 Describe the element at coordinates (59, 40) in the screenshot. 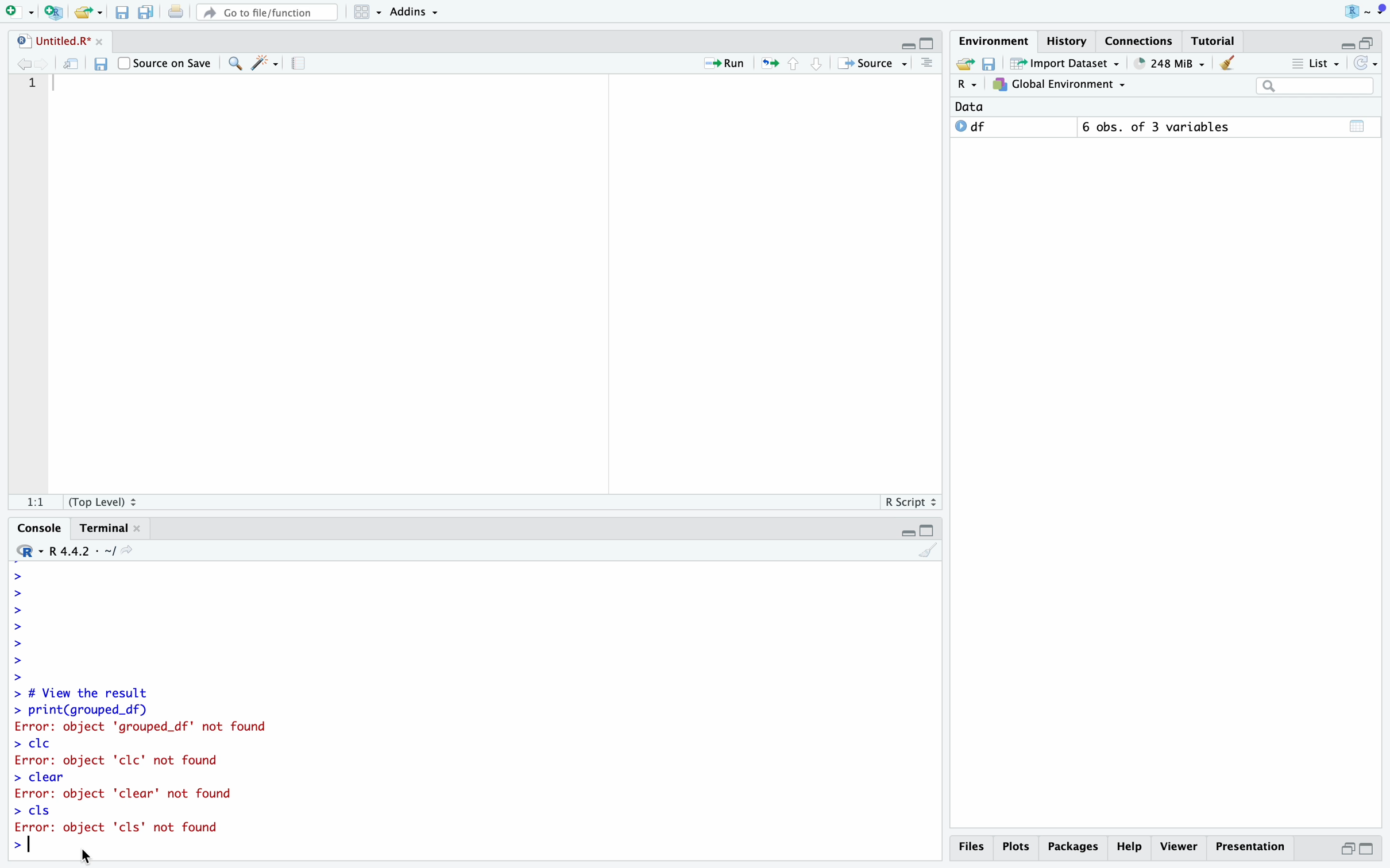

I see `Untitled.R*` at that location.